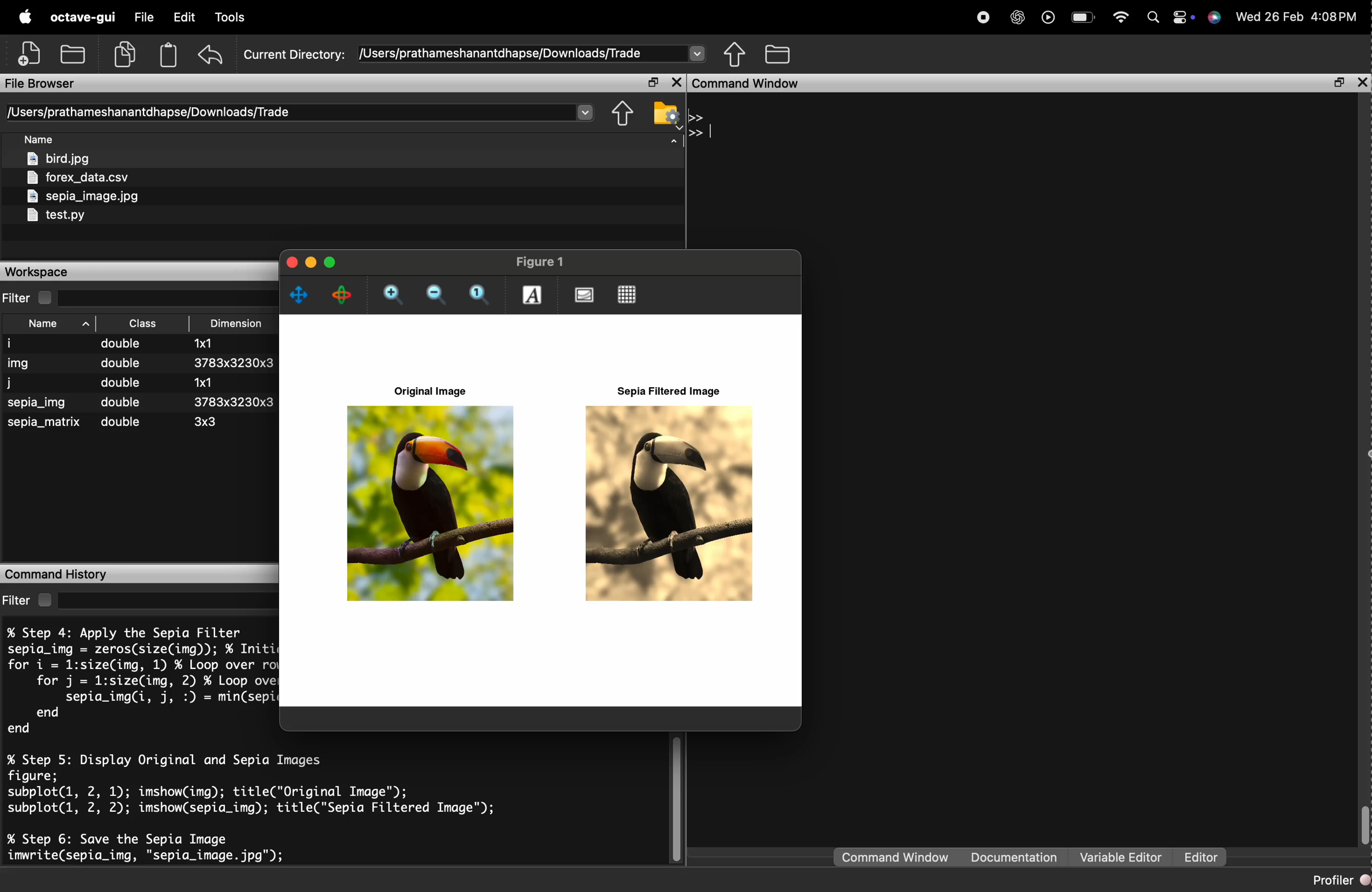 The image size is (1372, 892). What do you see at coordinates (124, 55) in the screenshot?
I see `copy` at bounding box center [124, 55].